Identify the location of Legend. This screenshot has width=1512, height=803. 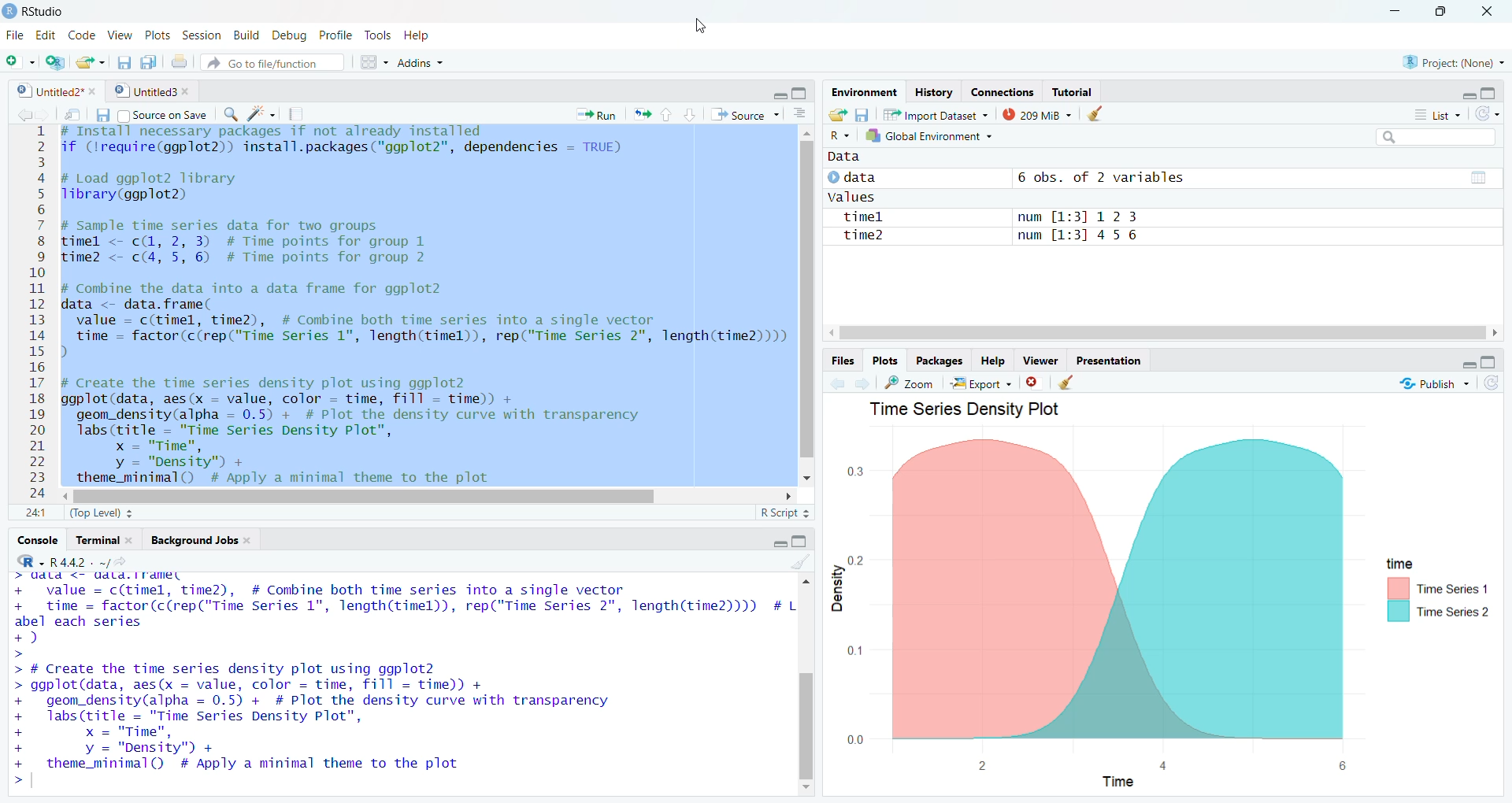
(1438, 590).